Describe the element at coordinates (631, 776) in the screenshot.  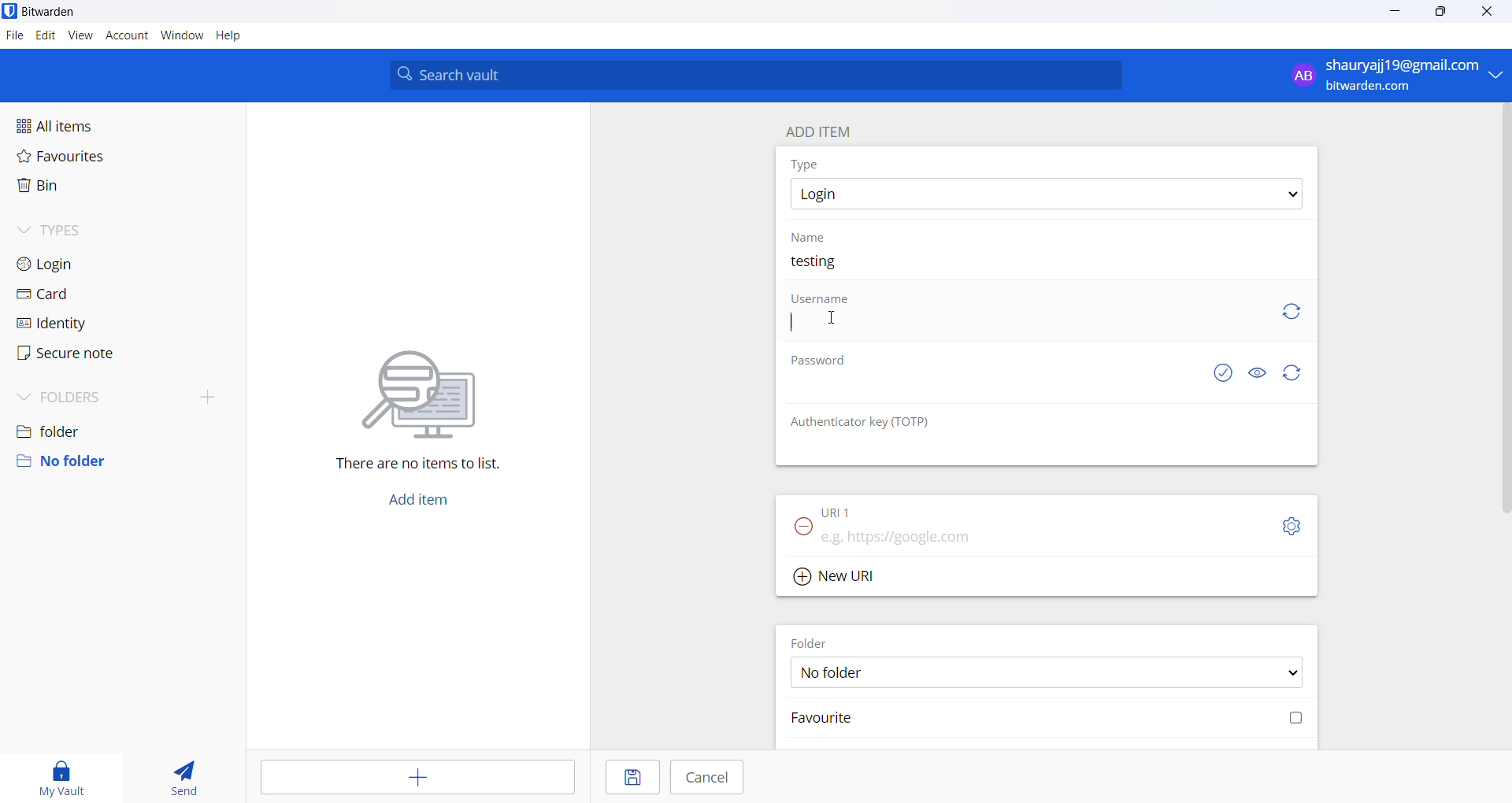
I see `save` at that location.